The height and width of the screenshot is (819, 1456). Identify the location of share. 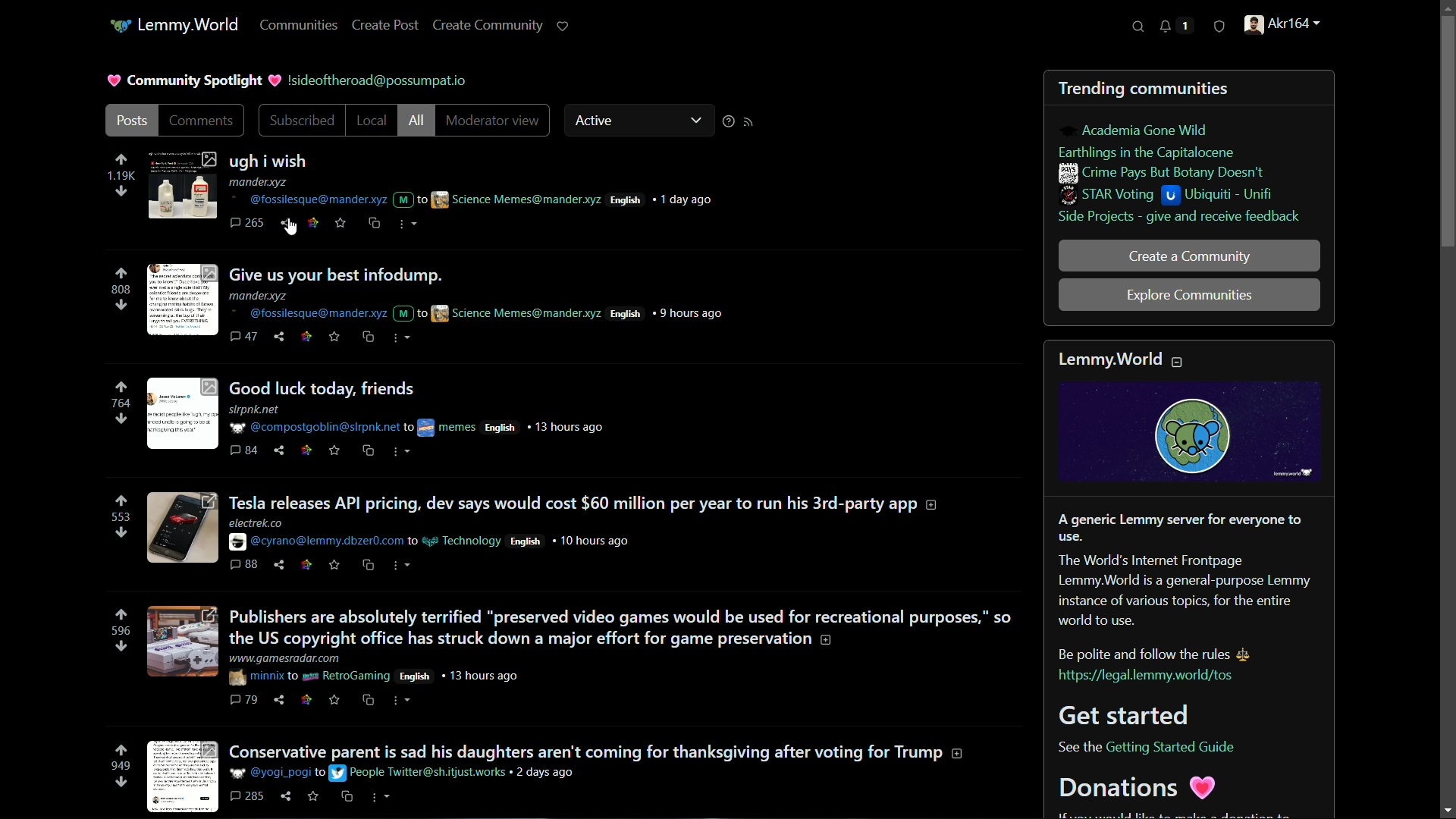
(281, 565).